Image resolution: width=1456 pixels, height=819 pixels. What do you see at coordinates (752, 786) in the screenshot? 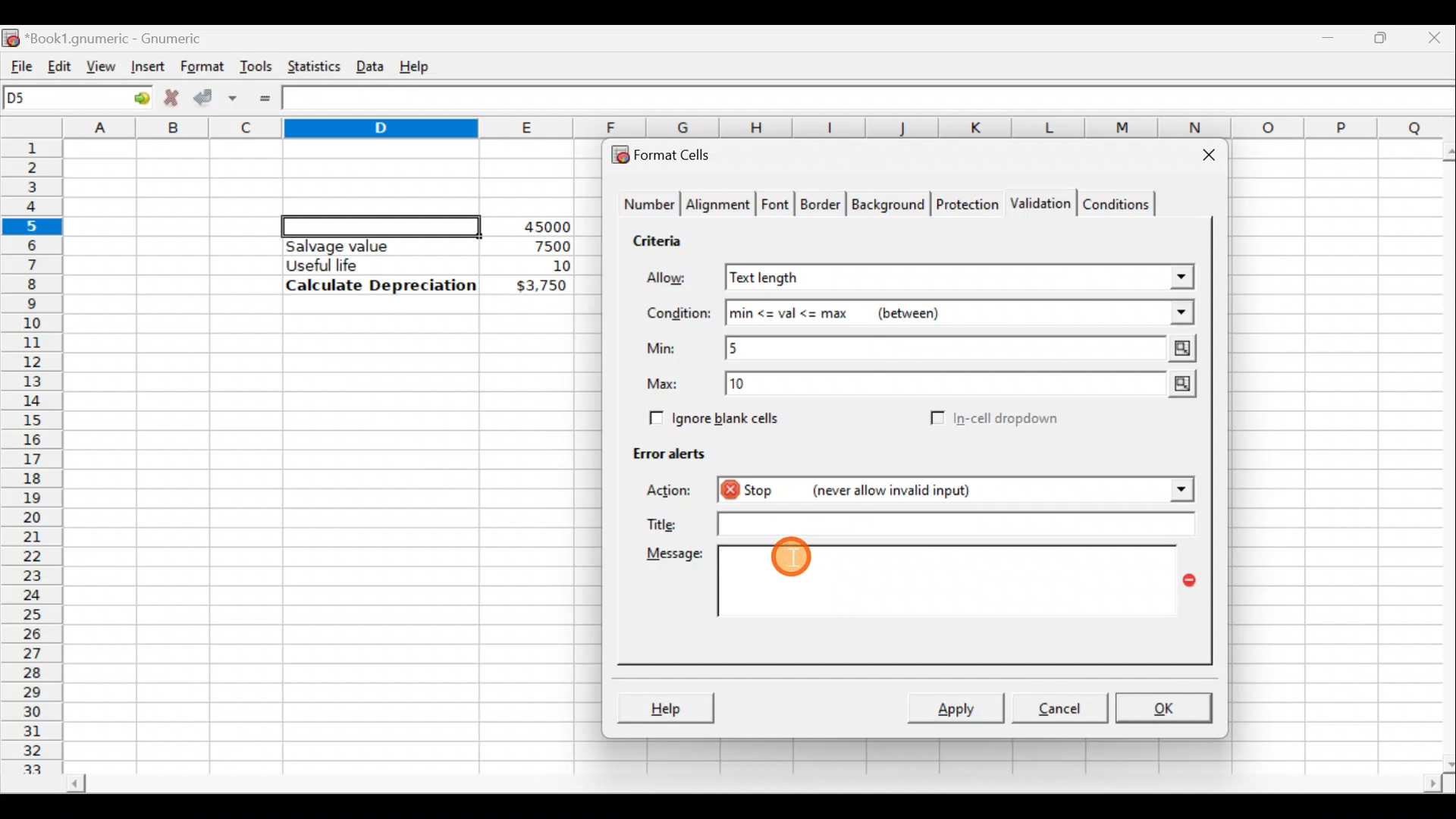
I see `Scroll bar` at bounding box center [752, 786].